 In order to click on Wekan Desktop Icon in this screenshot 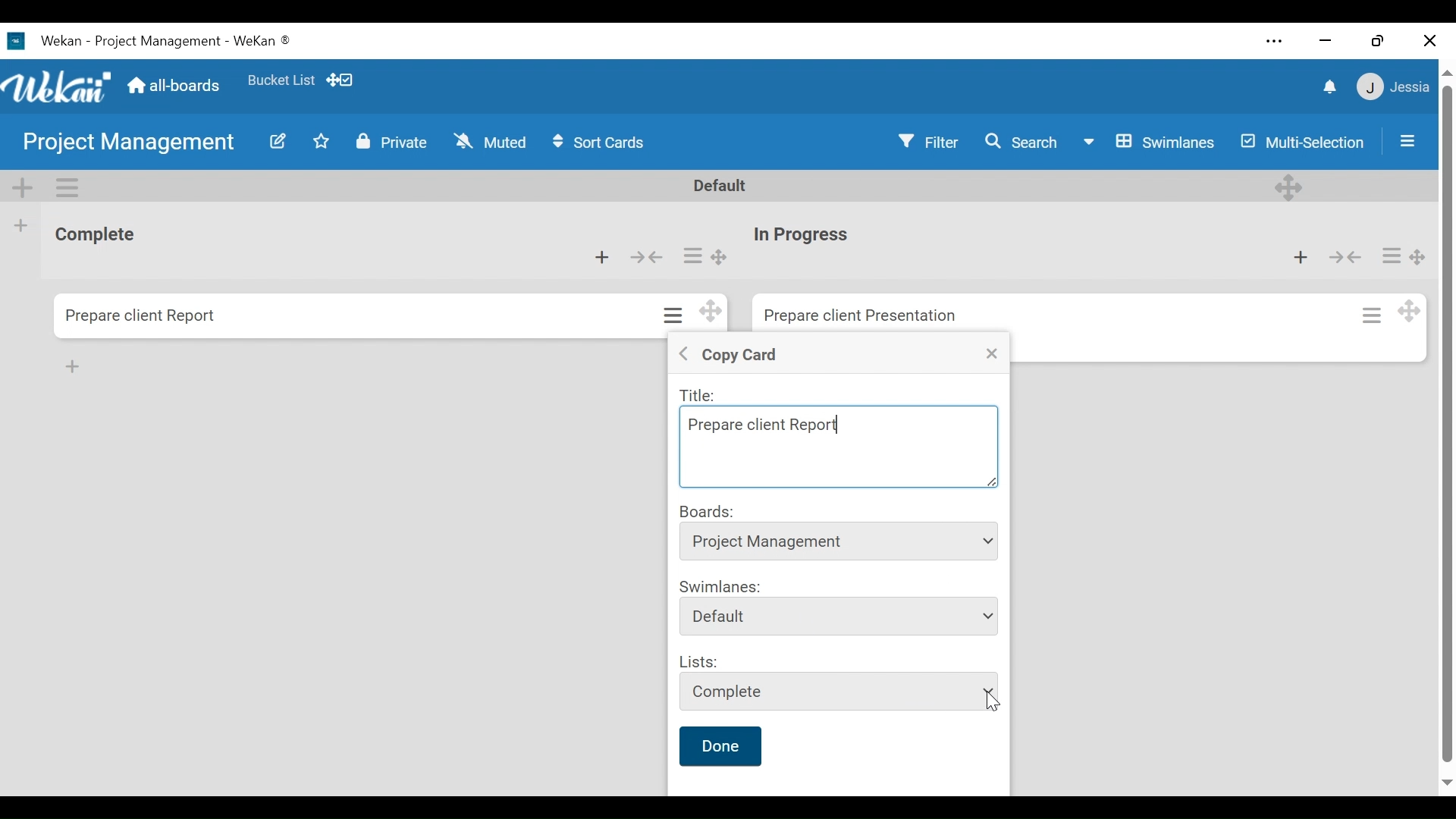, I will do `click(162, 39)`.